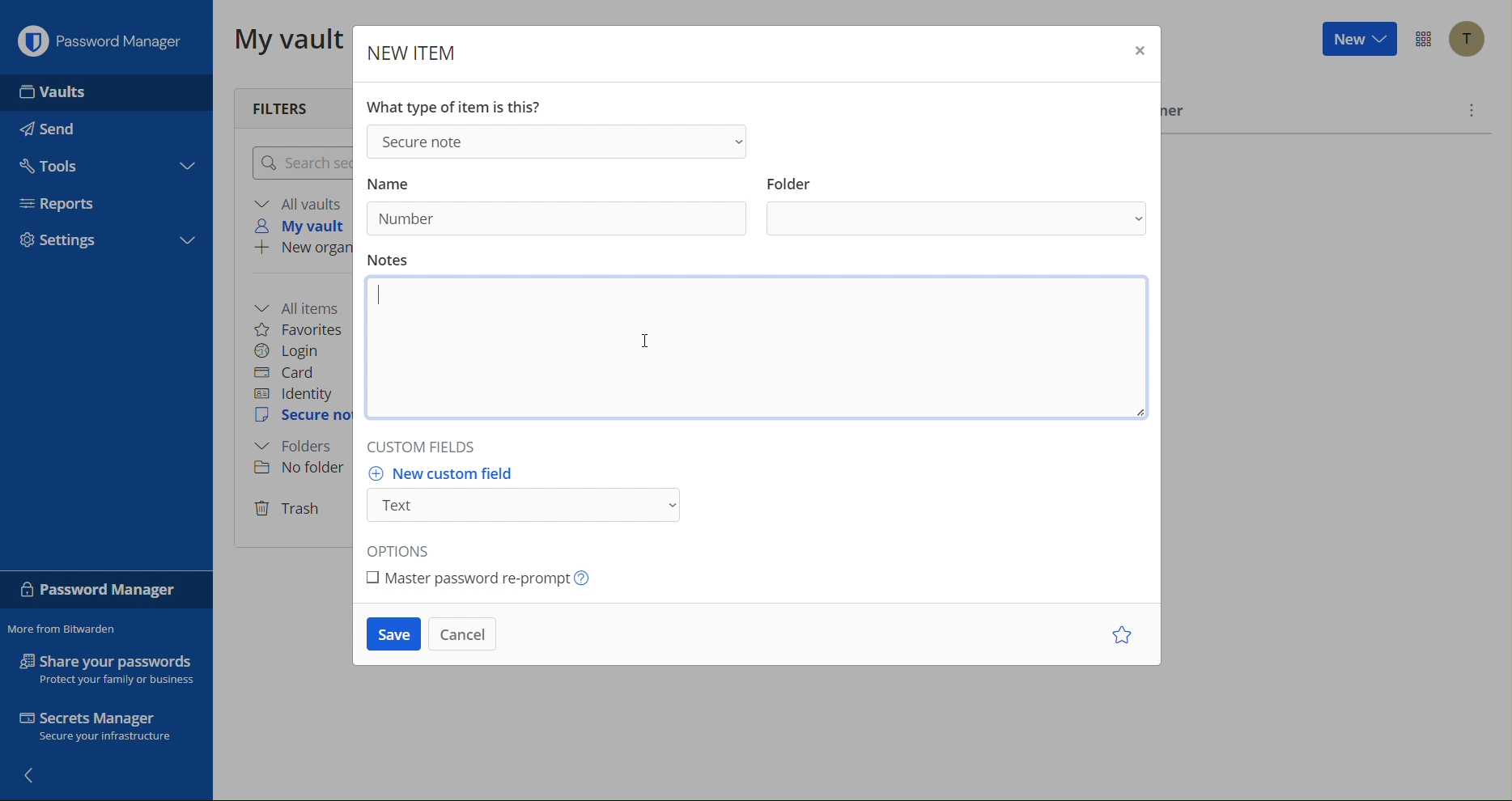  I want to click on Cursor, so click(653, 328).